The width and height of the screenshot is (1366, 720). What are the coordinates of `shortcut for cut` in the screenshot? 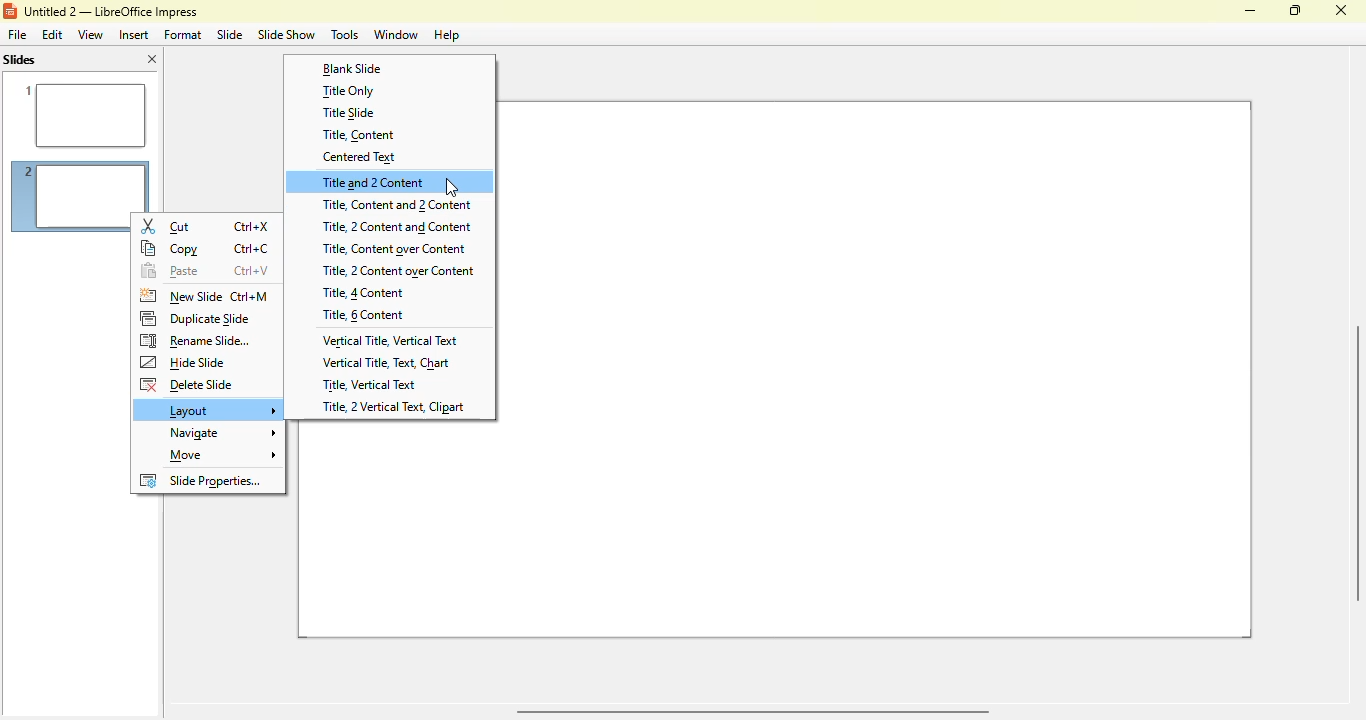 It's located at (251, 228).